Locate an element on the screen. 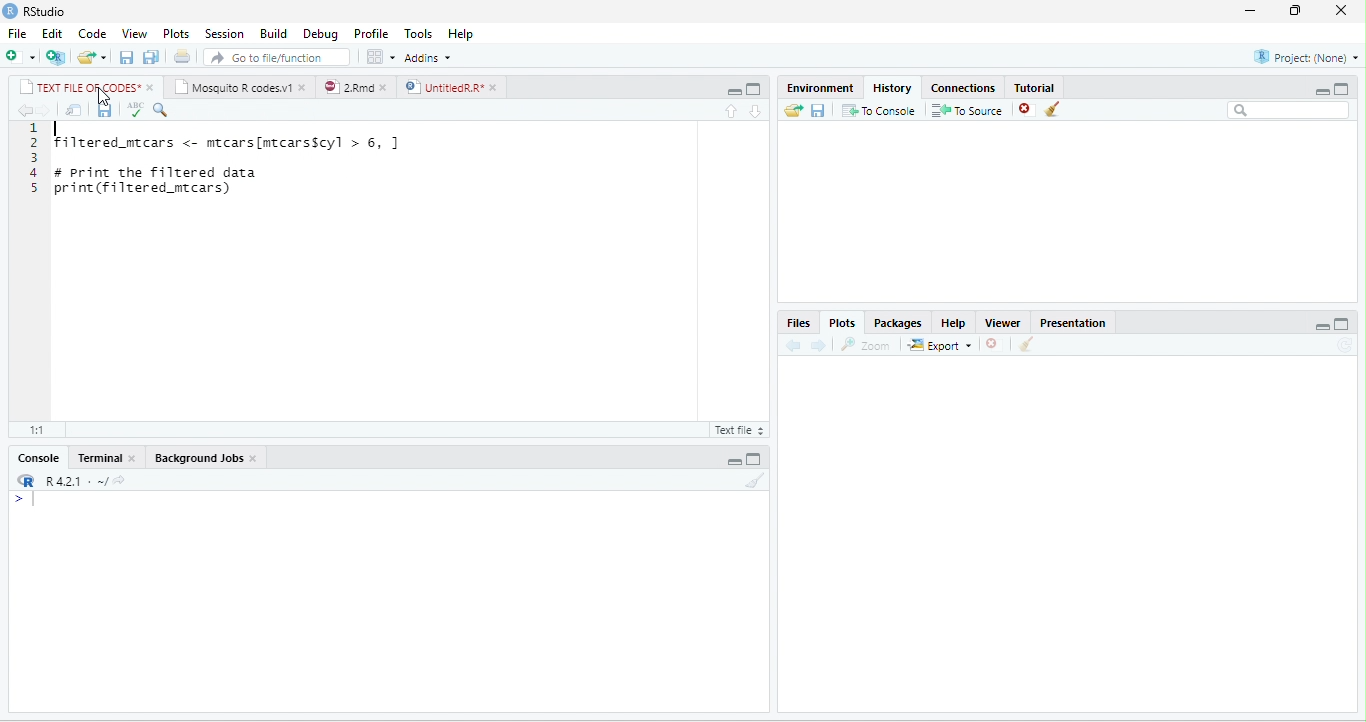 The image size is (1366, 722). Packages is located at coordinates (898, 323).